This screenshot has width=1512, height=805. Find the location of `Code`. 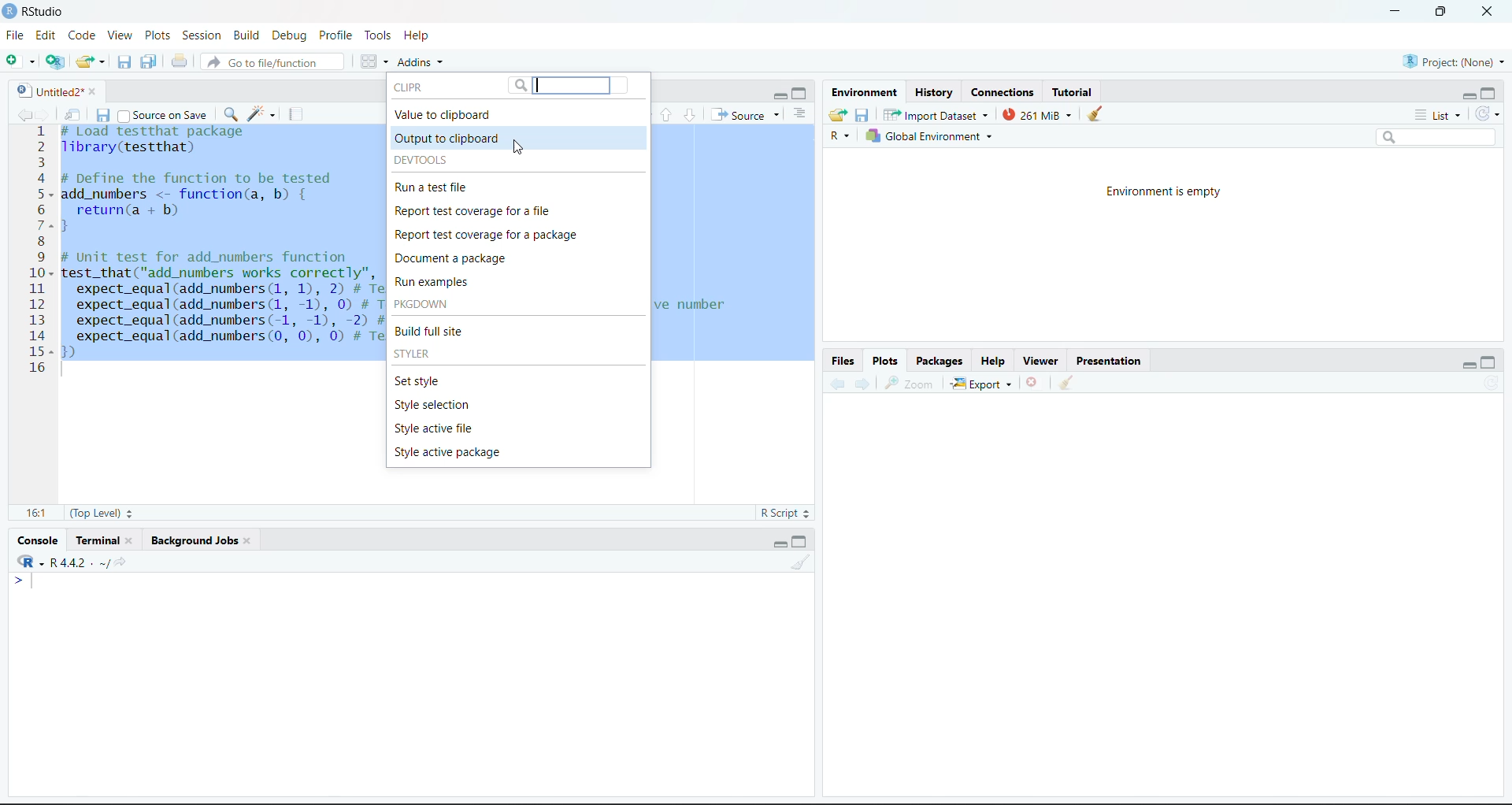

Code is located at coordinates (81, 35).